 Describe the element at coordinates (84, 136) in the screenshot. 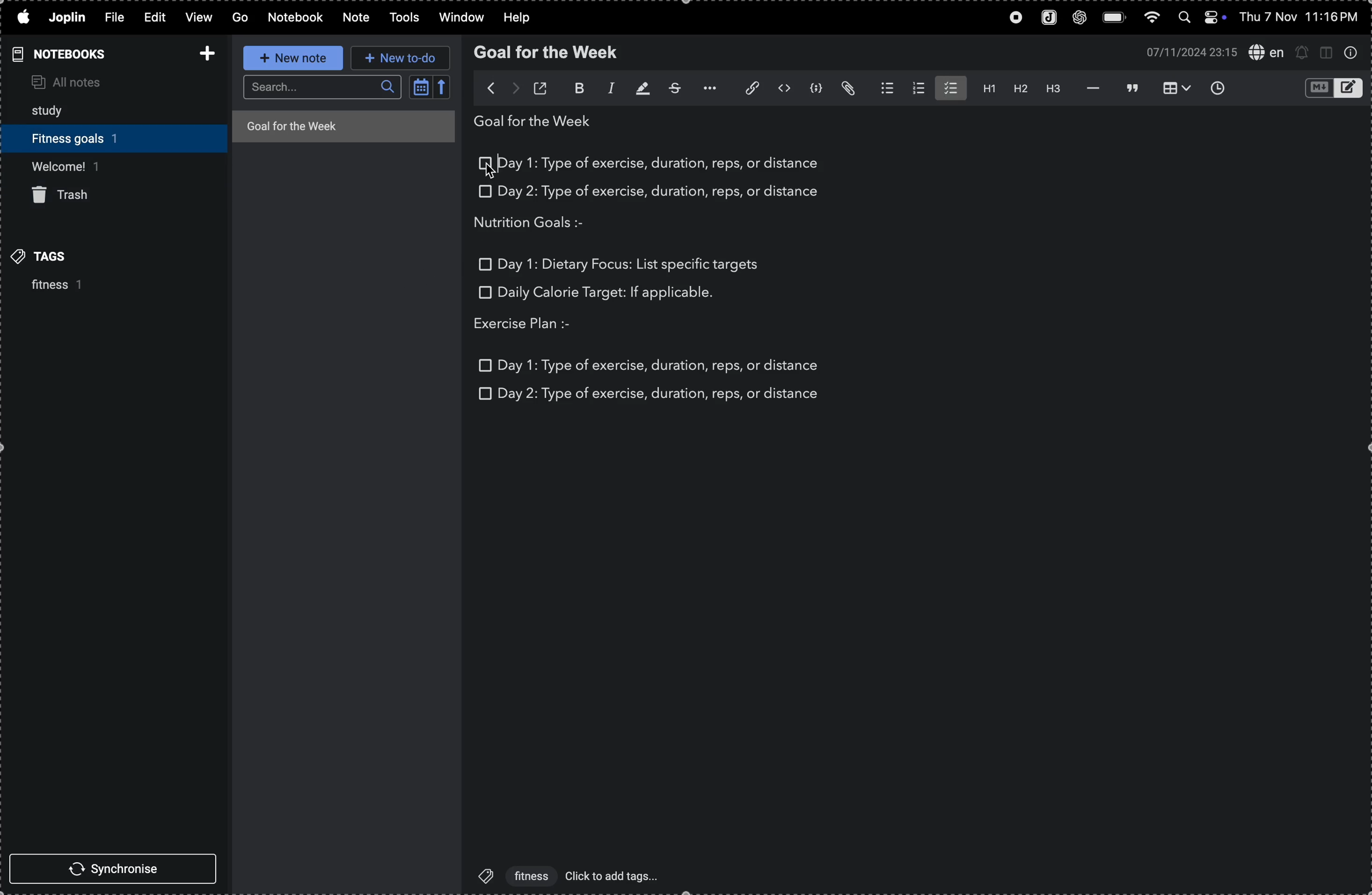

I see `fitness goals 1` at that location.